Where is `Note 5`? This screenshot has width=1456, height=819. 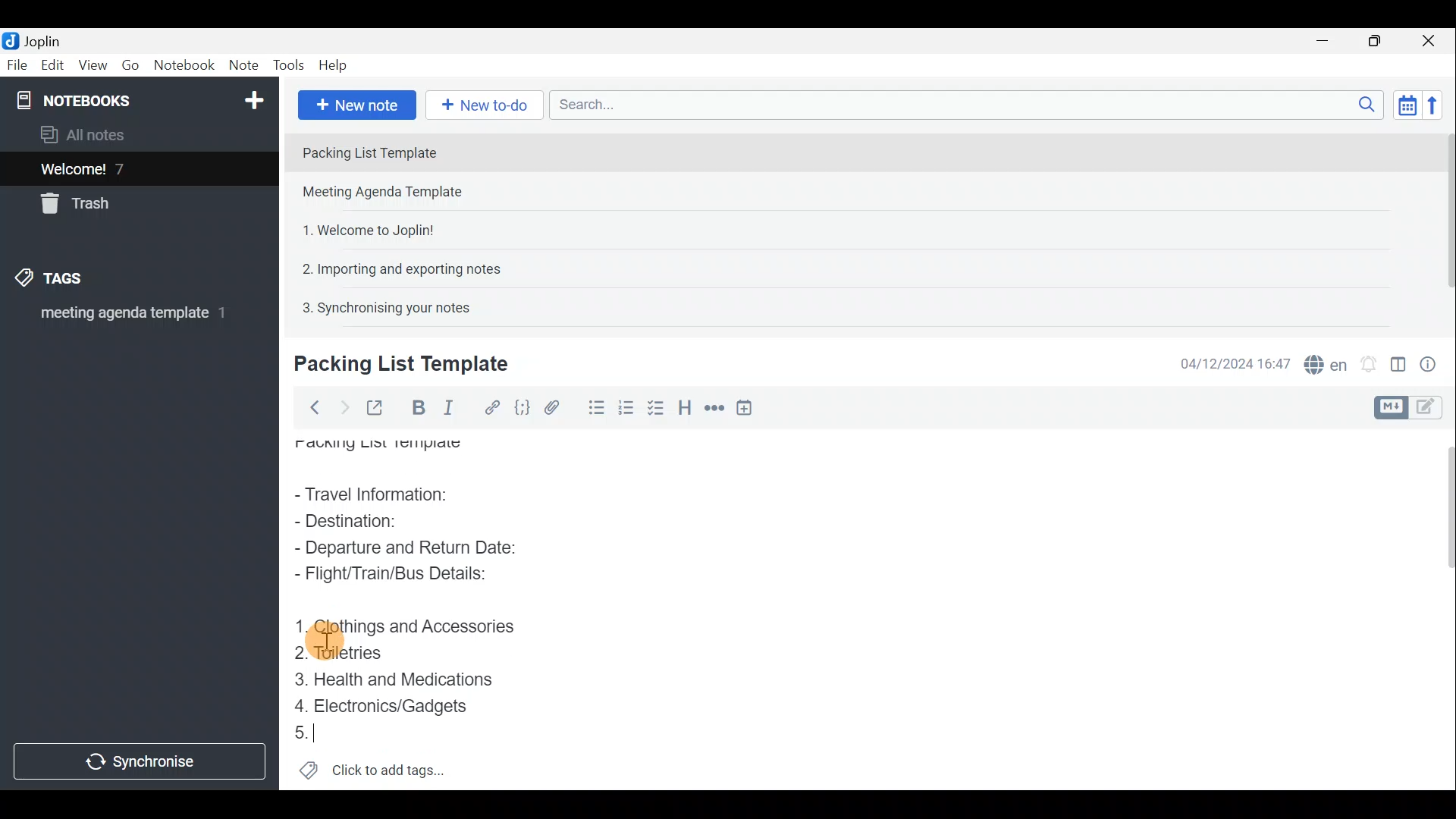
Note 5 is located at coordinates (380, 306).